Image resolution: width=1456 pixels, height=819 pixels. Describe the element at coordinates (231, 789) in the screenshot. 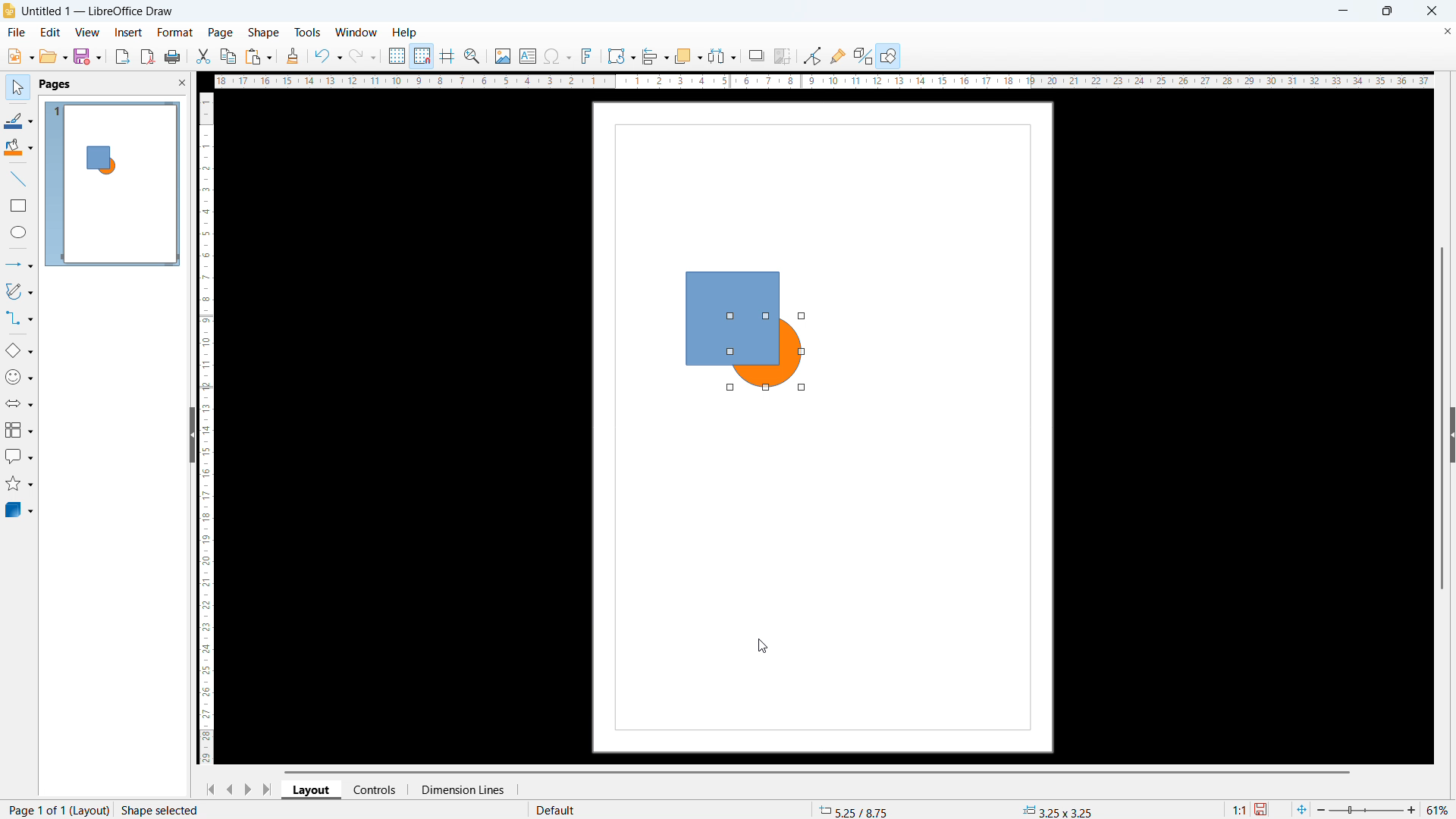

I see `previous page` at that location.